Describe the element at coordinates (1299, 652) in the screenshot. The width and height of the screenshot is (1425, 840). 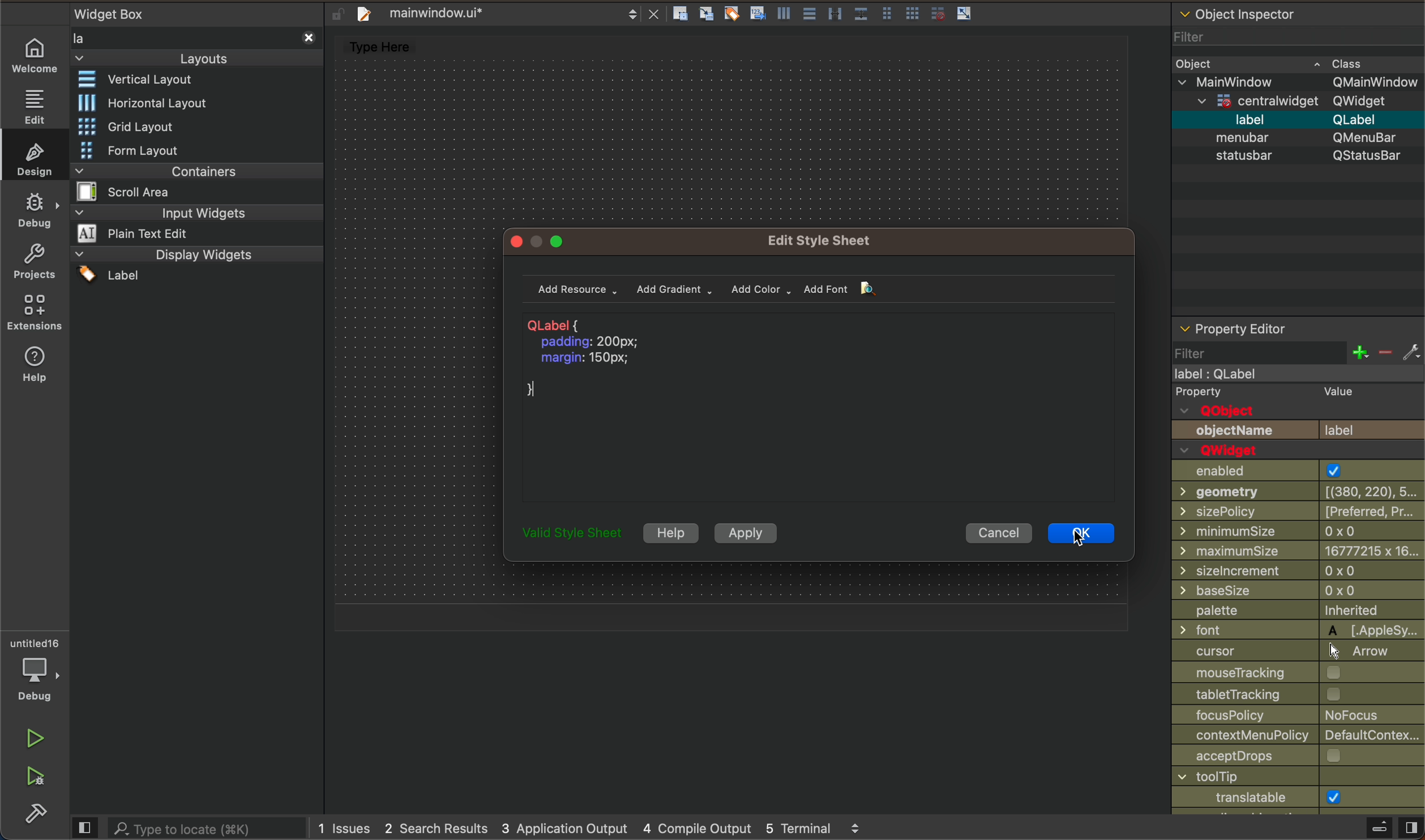
I see `cursor` at that location.